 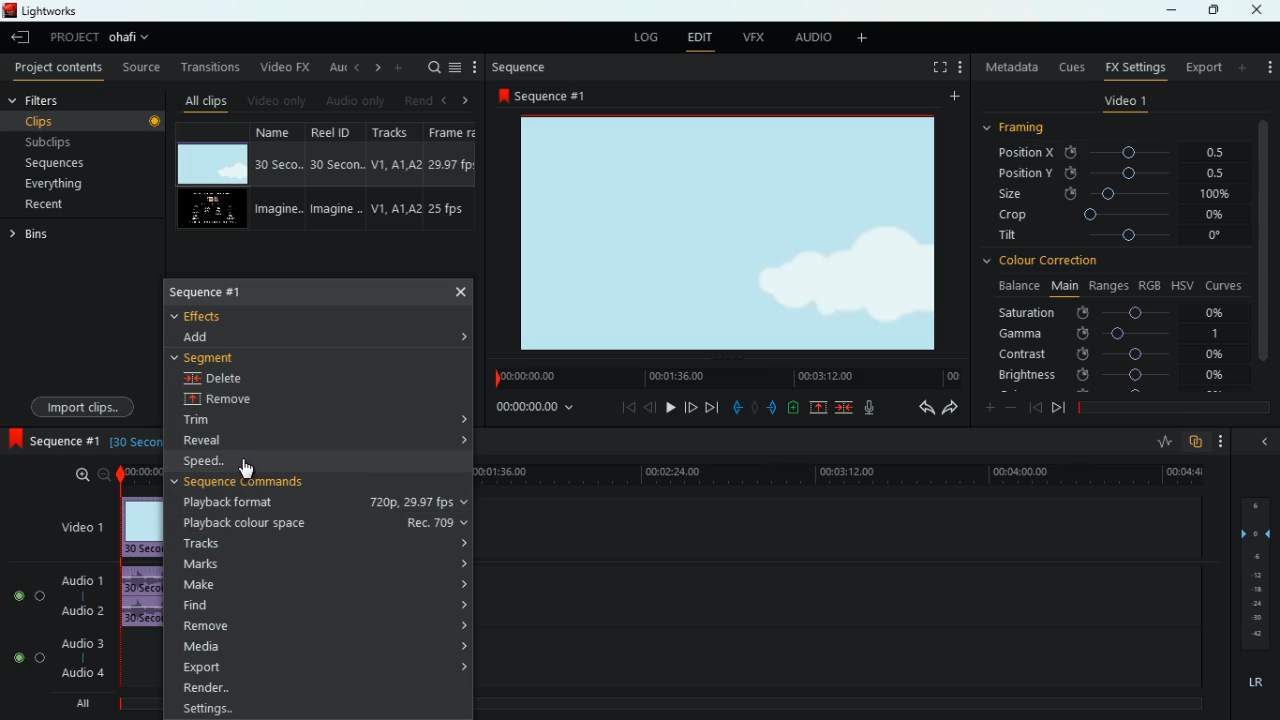 What do you see at coordinates (30, 595) in the screenshot?
I see `Audio` at bounding box center [30, 595].